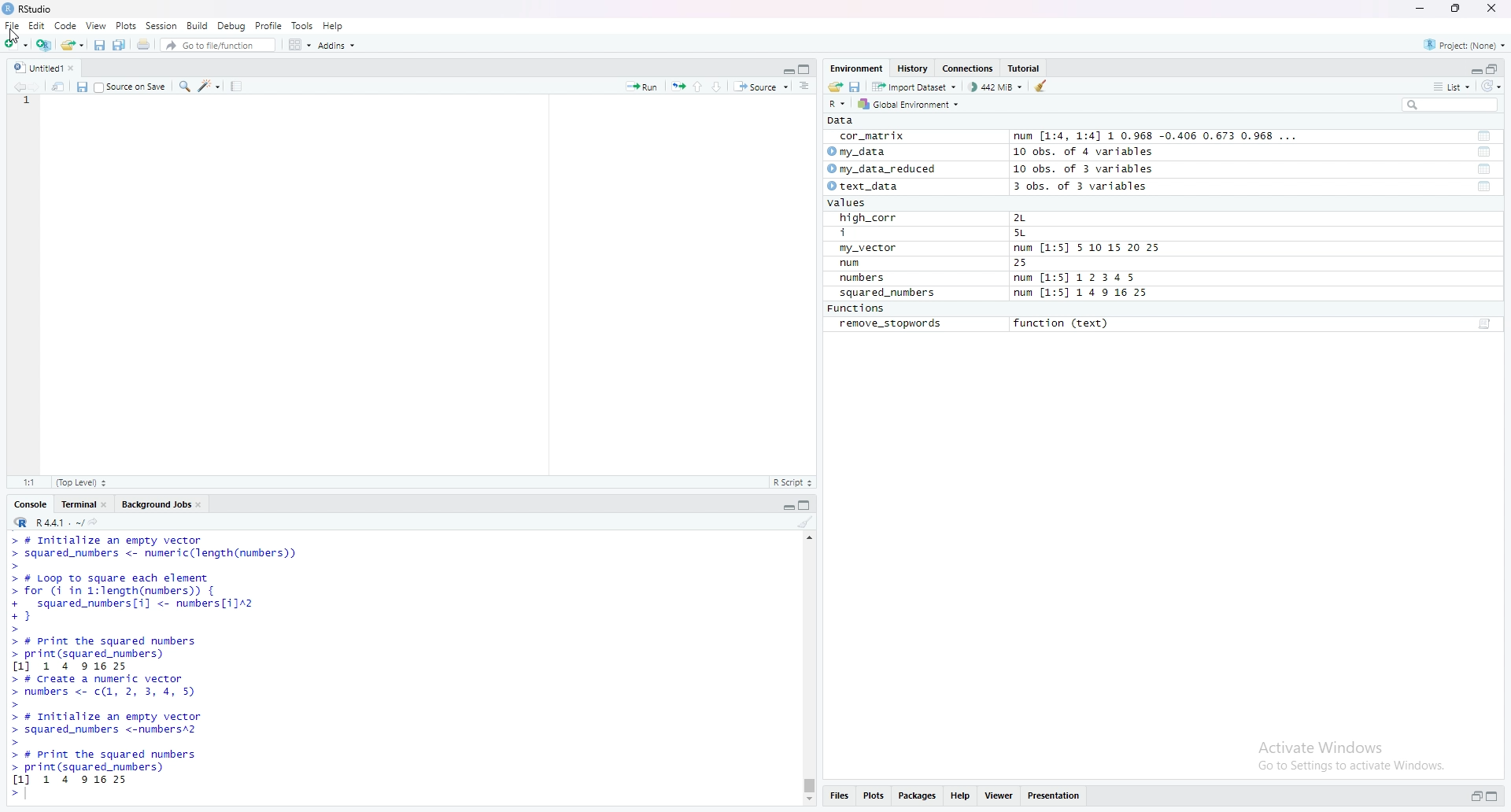 Image resolution: width=1511 pixels, height=812 pixels. Describe the element at coordinates (220, 45) in the screenshot. I see `Go to file/function` at that location.